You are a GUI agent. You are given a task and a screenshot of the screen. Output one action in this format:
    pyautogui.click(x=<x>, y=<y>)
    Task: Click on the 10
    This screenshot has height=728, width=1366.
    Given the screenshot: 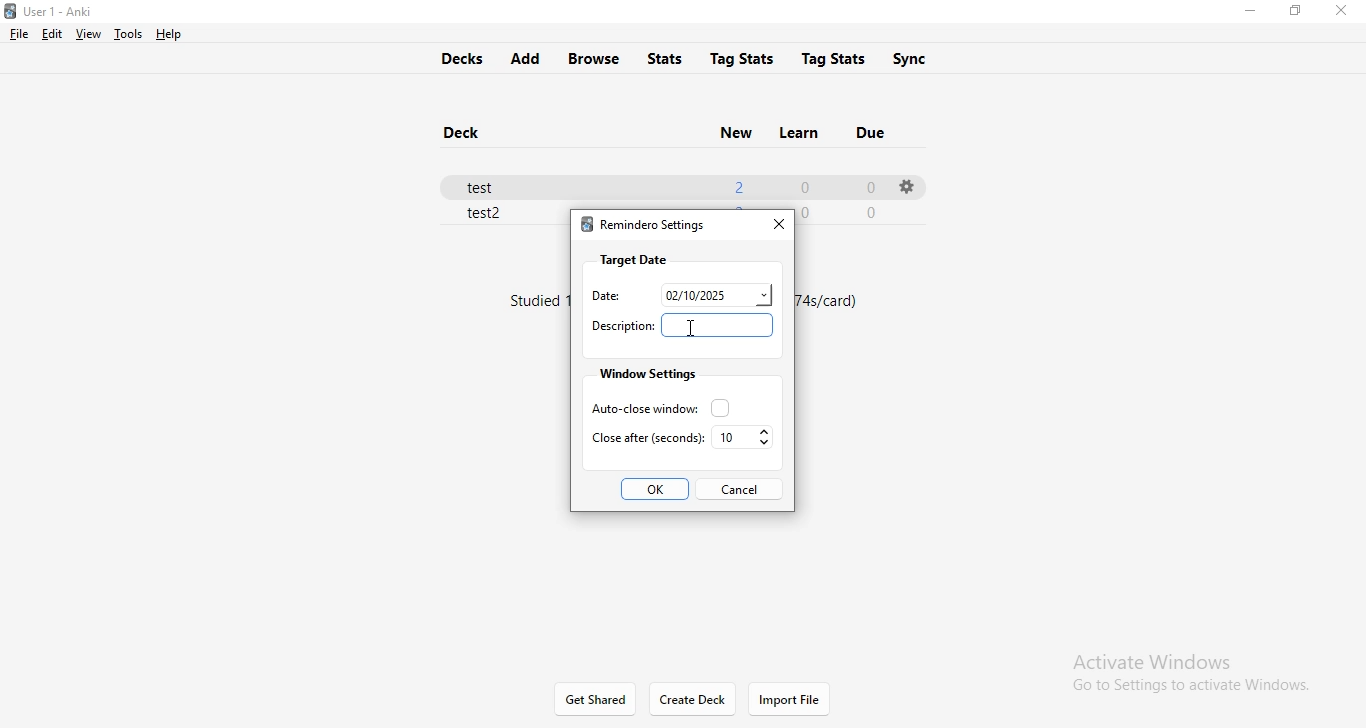 What is the action you would take?
    pyautogui.click(x=744, y=438)
    